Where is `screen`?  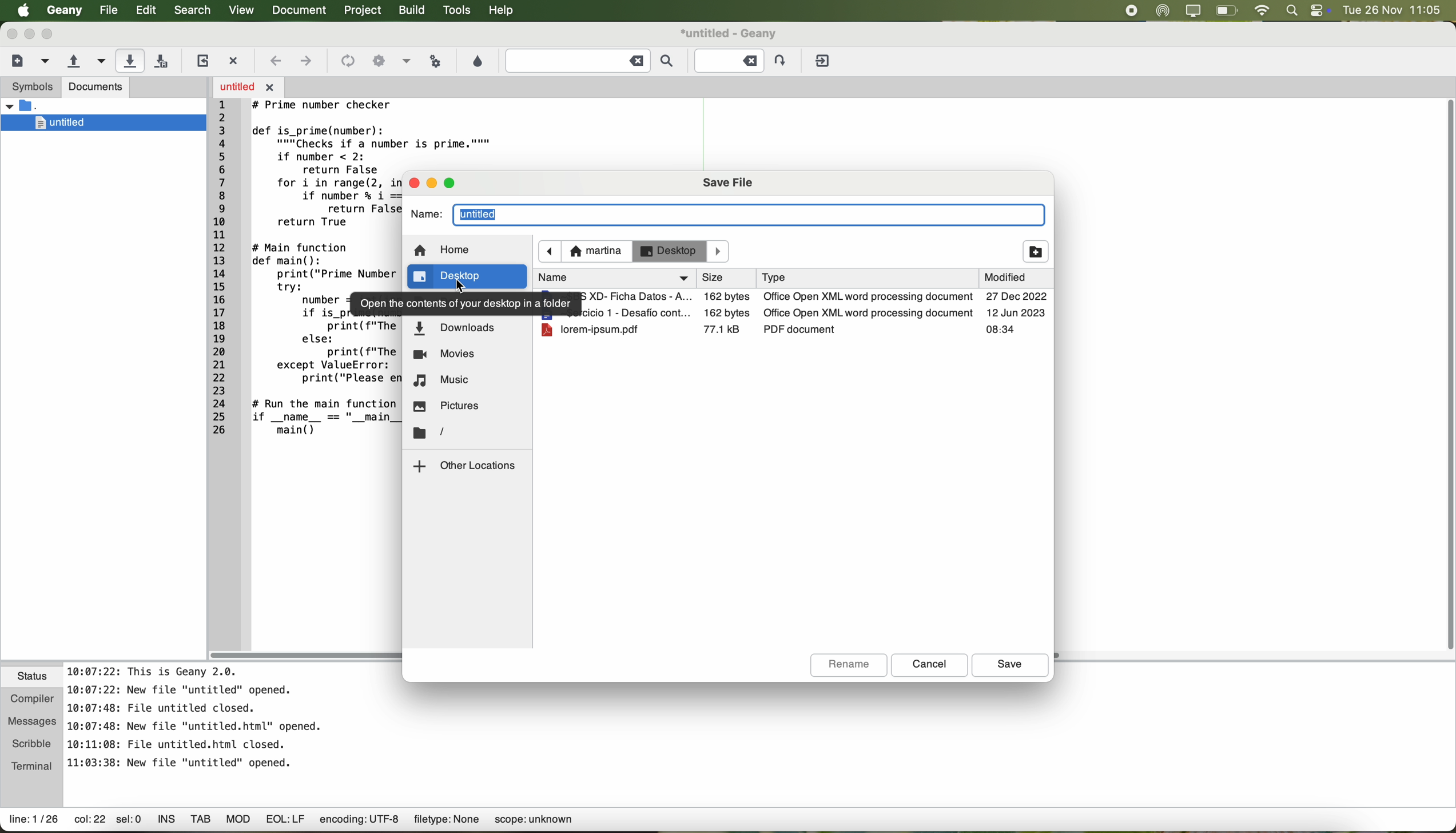 screen is located at coordinates (1193, 11).